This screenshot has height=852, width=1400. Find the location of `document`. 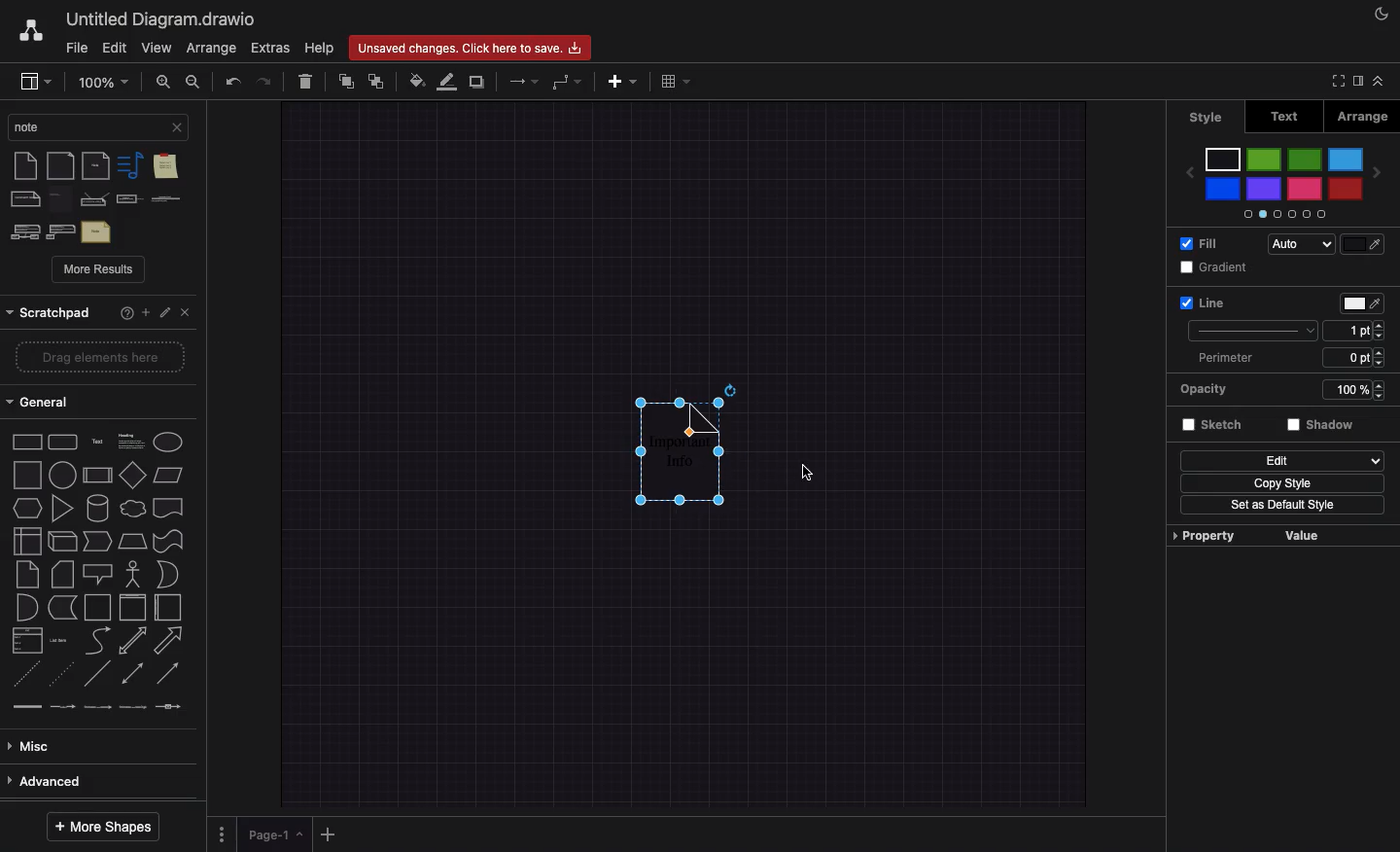

document is located at coordinates (61, 166).